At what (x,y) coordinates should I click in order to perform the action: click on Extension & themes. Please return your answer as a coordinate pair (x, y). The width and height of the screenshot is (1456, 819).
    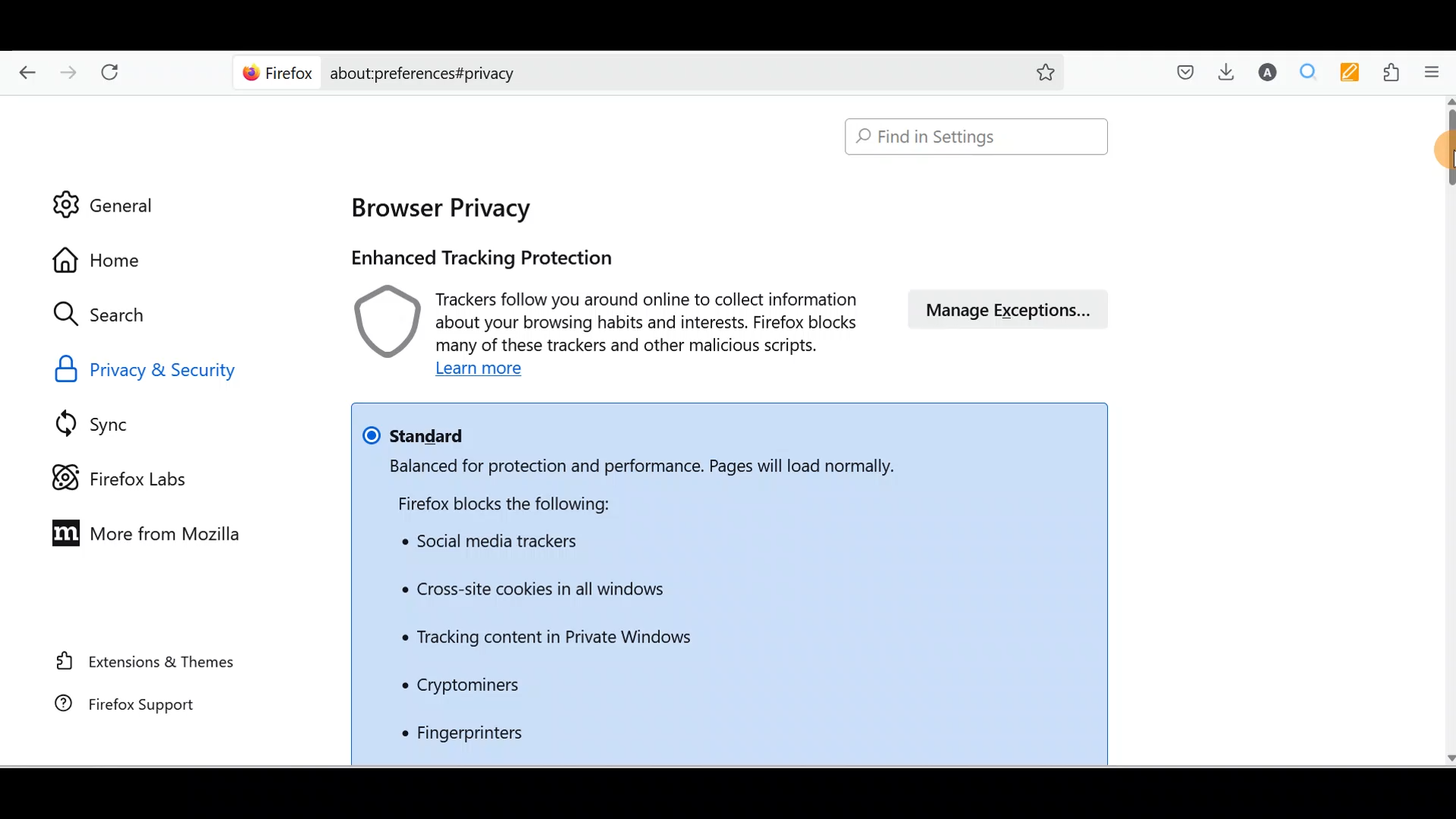
    Looking at the image, I should click on (143, 664).